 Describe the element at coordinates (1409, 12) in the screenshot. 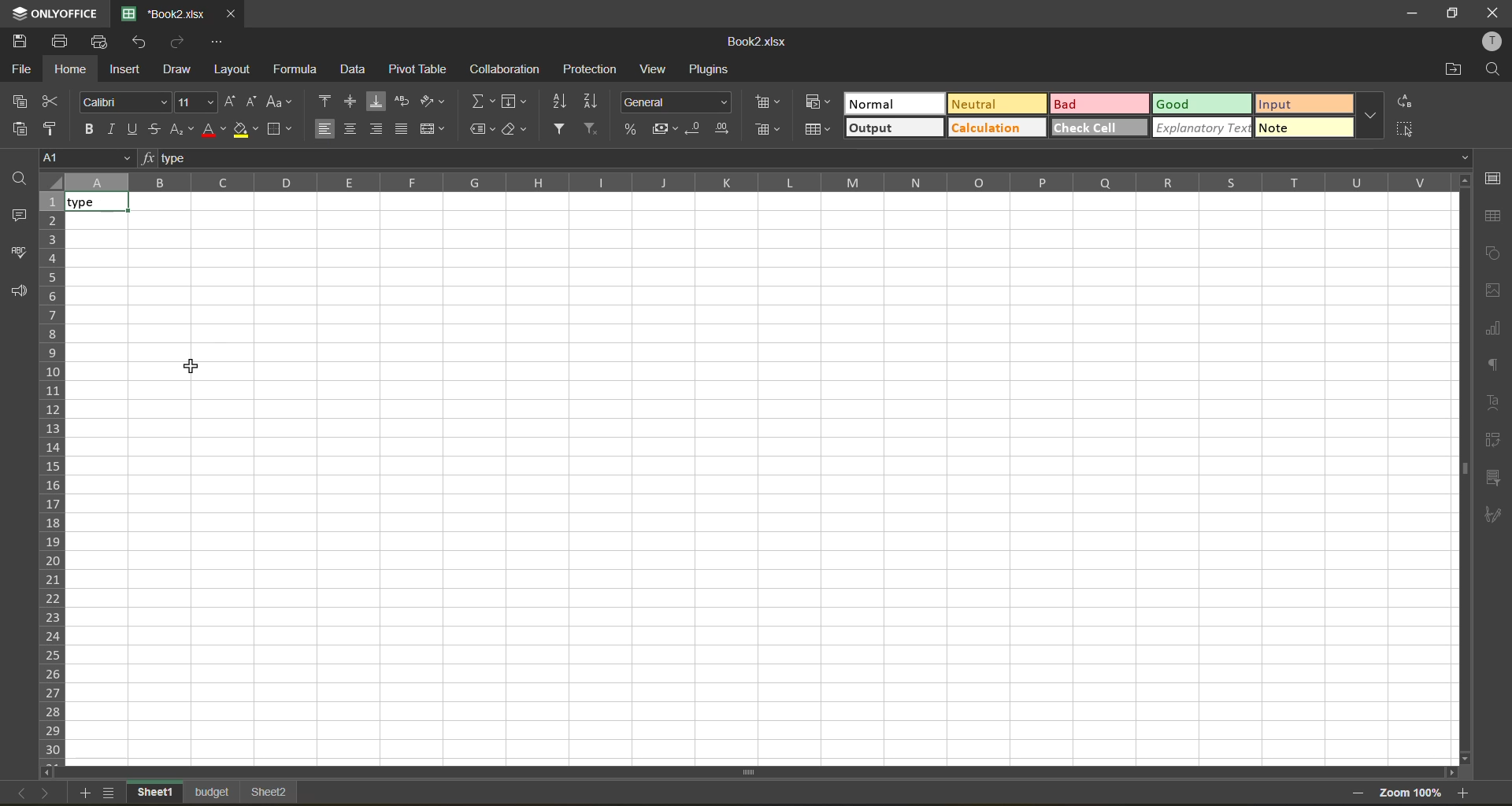

I see `minimize` at that location.